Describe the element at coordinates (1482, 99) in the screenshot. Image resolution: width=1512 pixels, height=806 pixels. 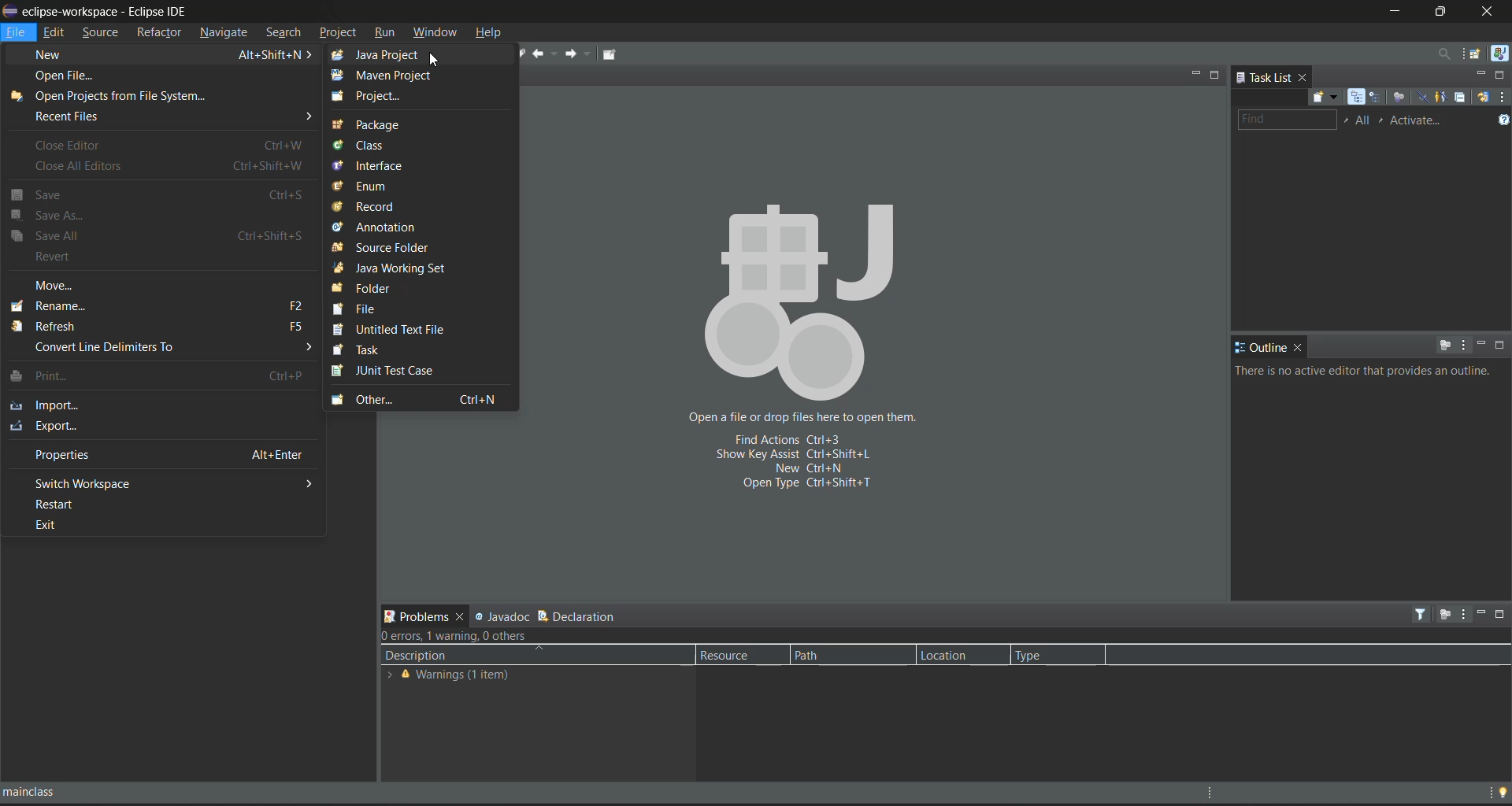
I see `synchronize changed` at that location.